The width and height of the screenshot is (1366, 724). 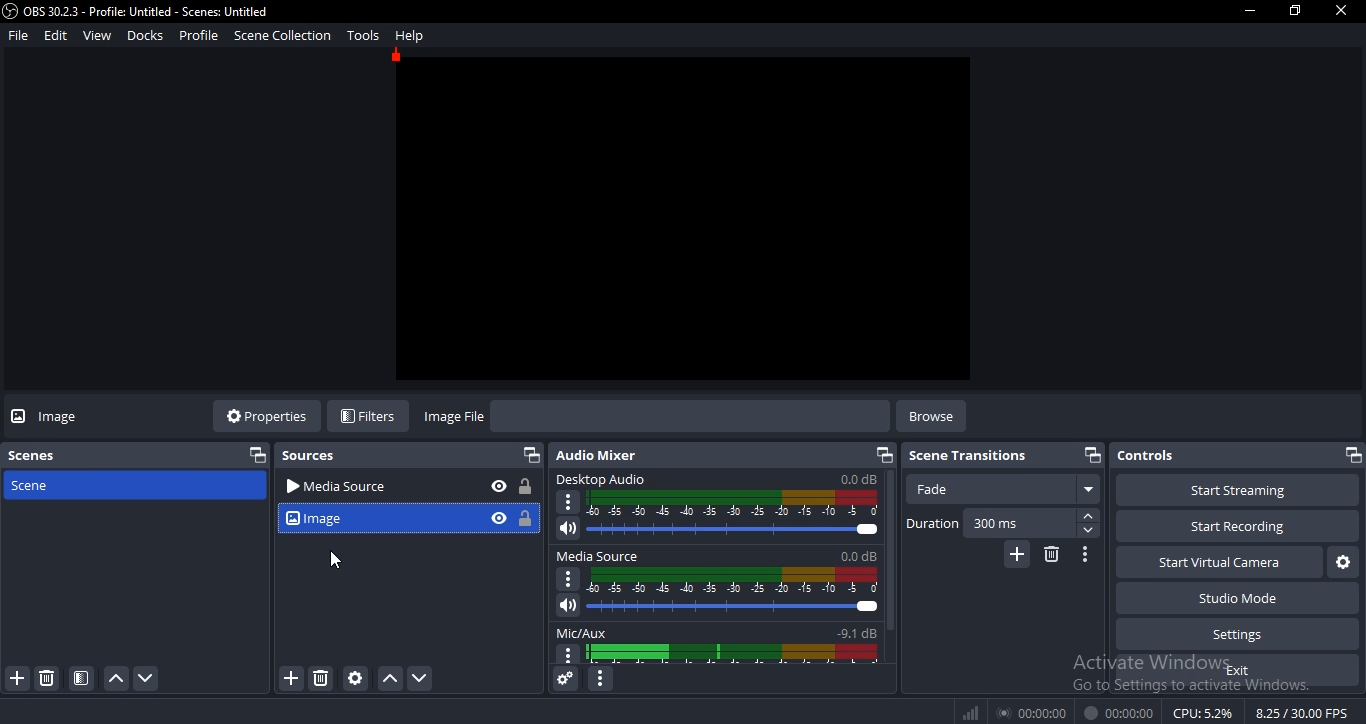 What do you see at coordinates (96, 34) in the screenshot?
I see `view` at bounding box center [96, 34].